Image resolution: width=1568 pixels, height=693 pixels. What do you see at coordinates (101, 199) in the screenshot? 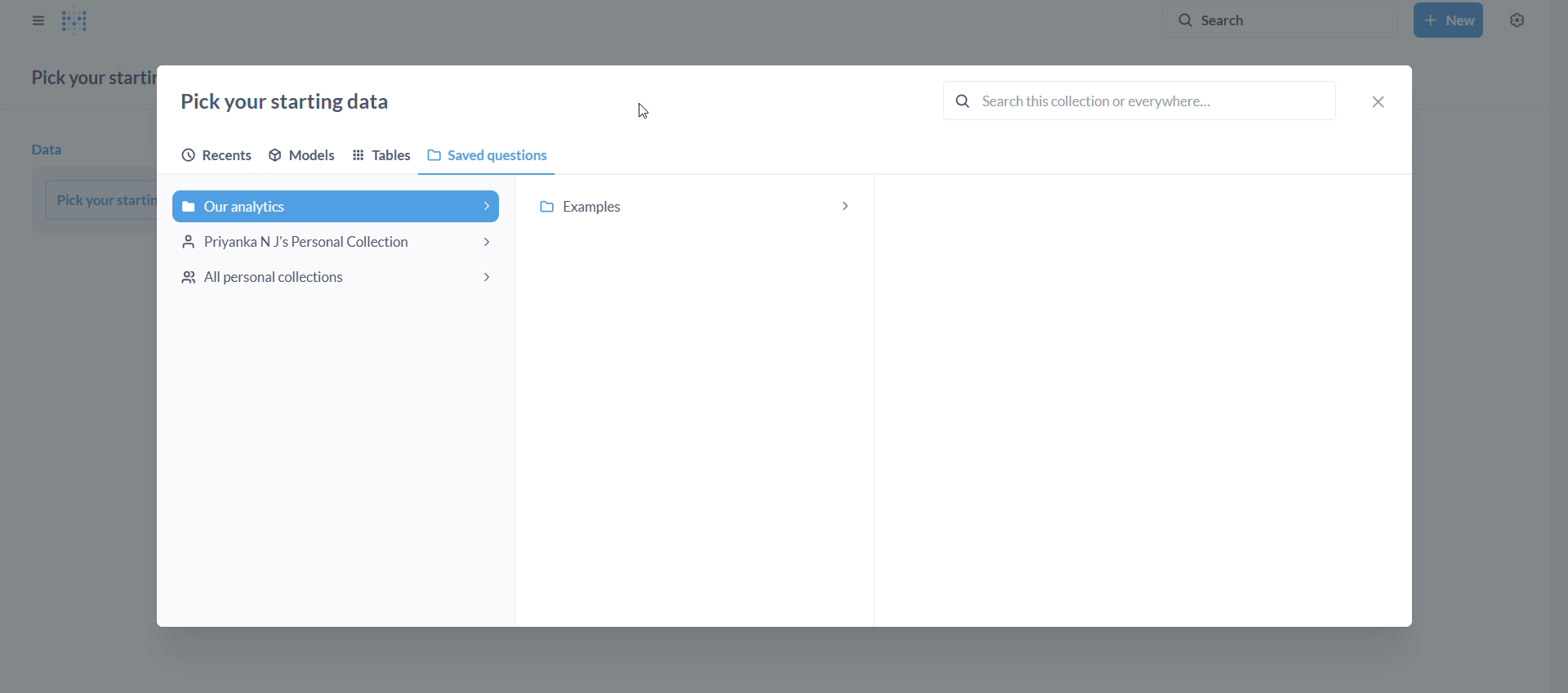
I see `Pick your startir` at bounding box center [101, 199].